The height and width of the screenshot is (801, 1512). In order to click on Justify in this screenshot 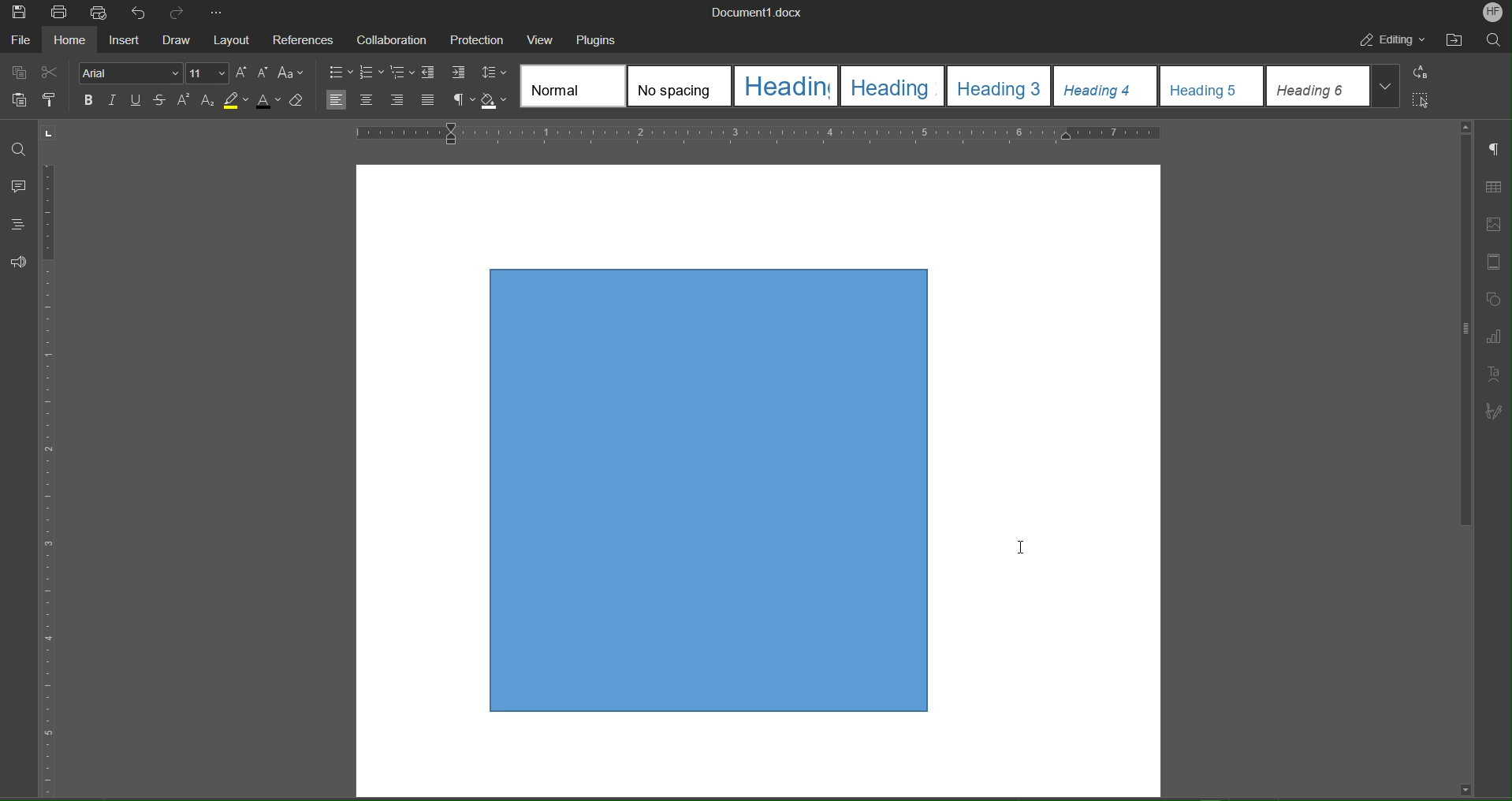, I will do `click(430, 101)`.